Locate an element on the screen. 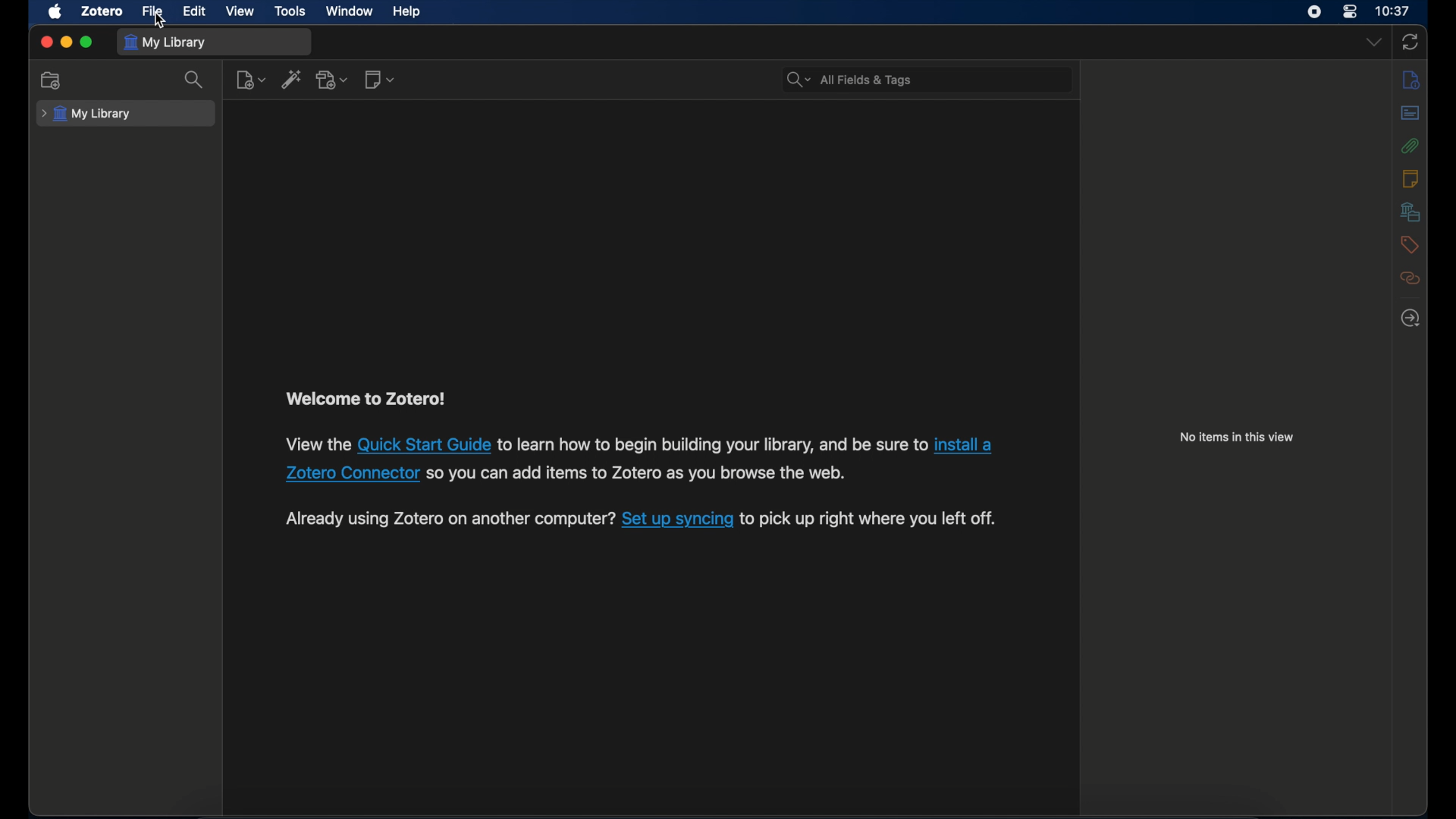  window is located at coordinates (349, 11).